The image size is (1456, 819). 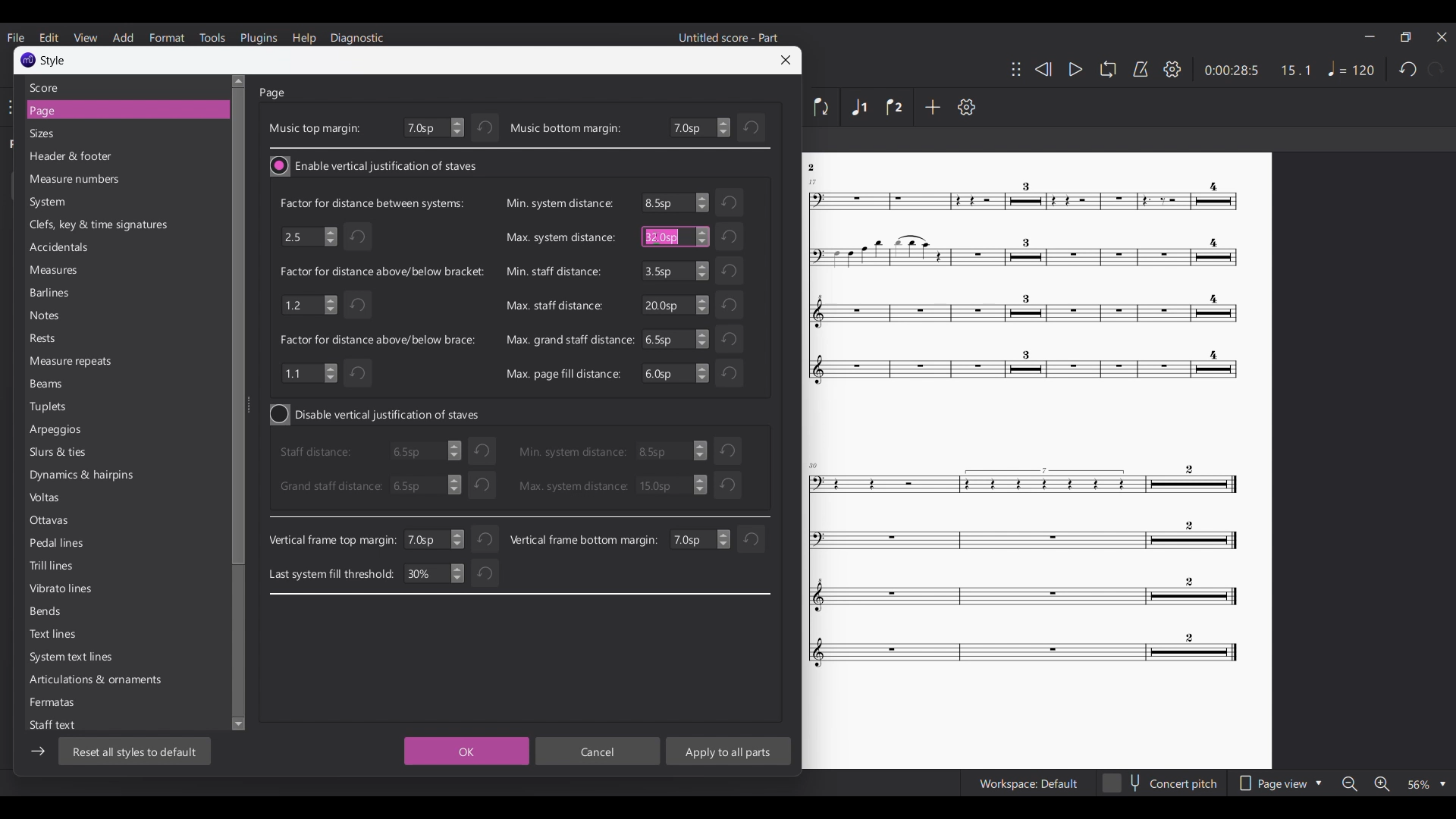 I want to click on Minimize, so click(x=1370, y=36).